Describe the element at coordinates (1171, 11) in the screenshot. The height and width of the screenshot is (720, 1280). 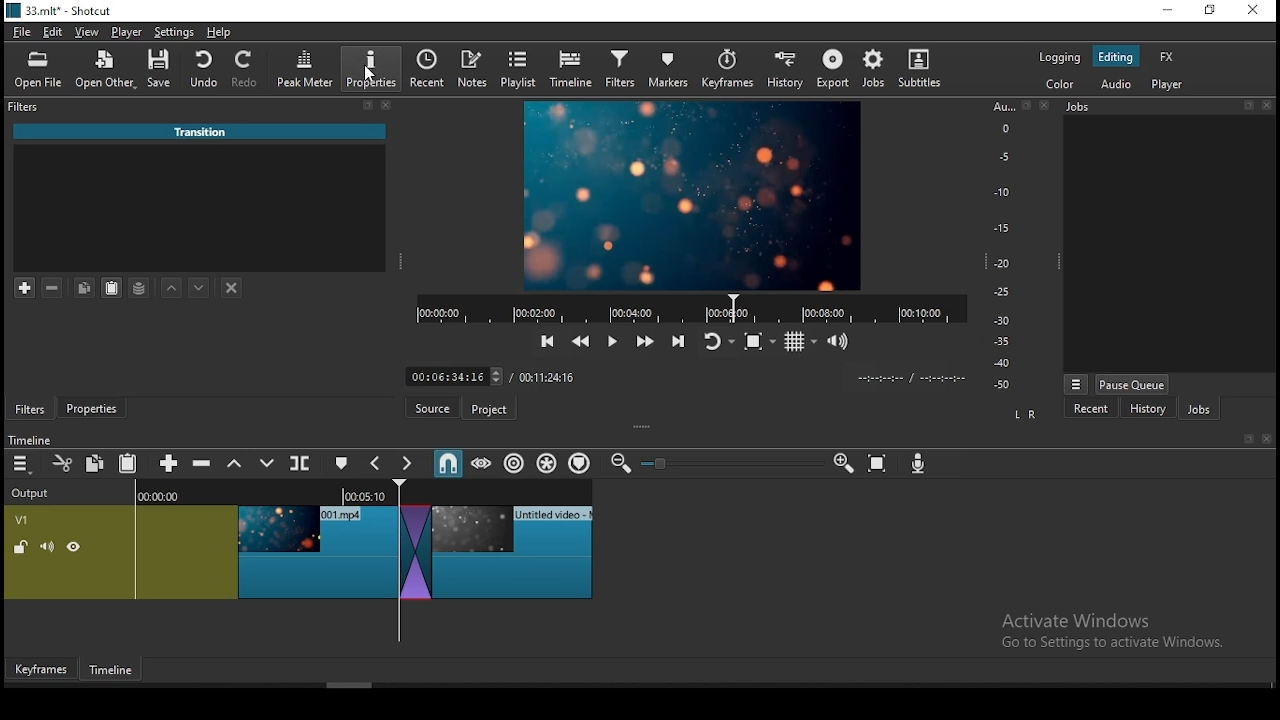
I see `minimize` at that location.